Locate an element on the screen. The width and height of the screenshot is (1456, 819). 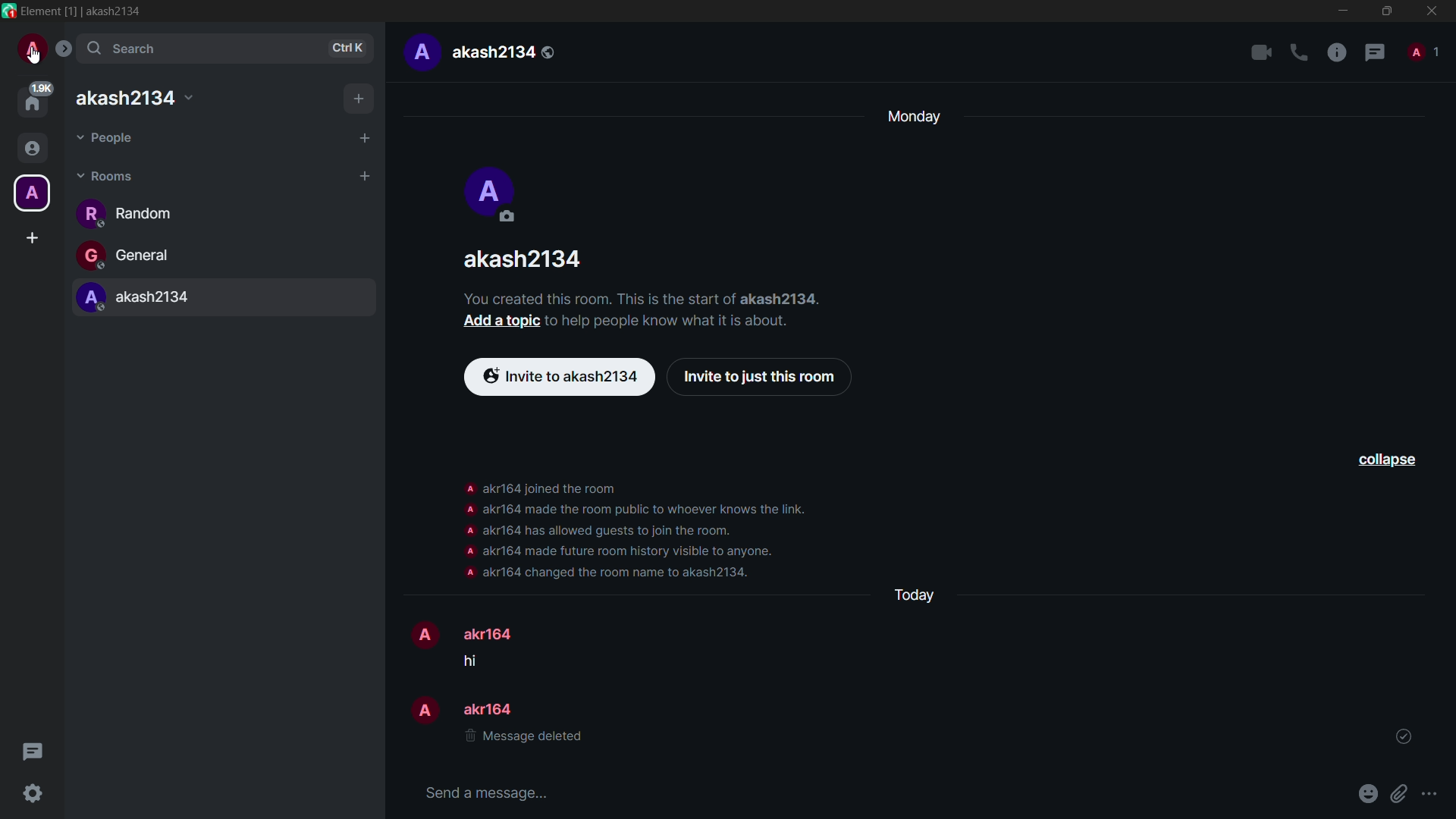
threads is located at coordinates (31, 754).